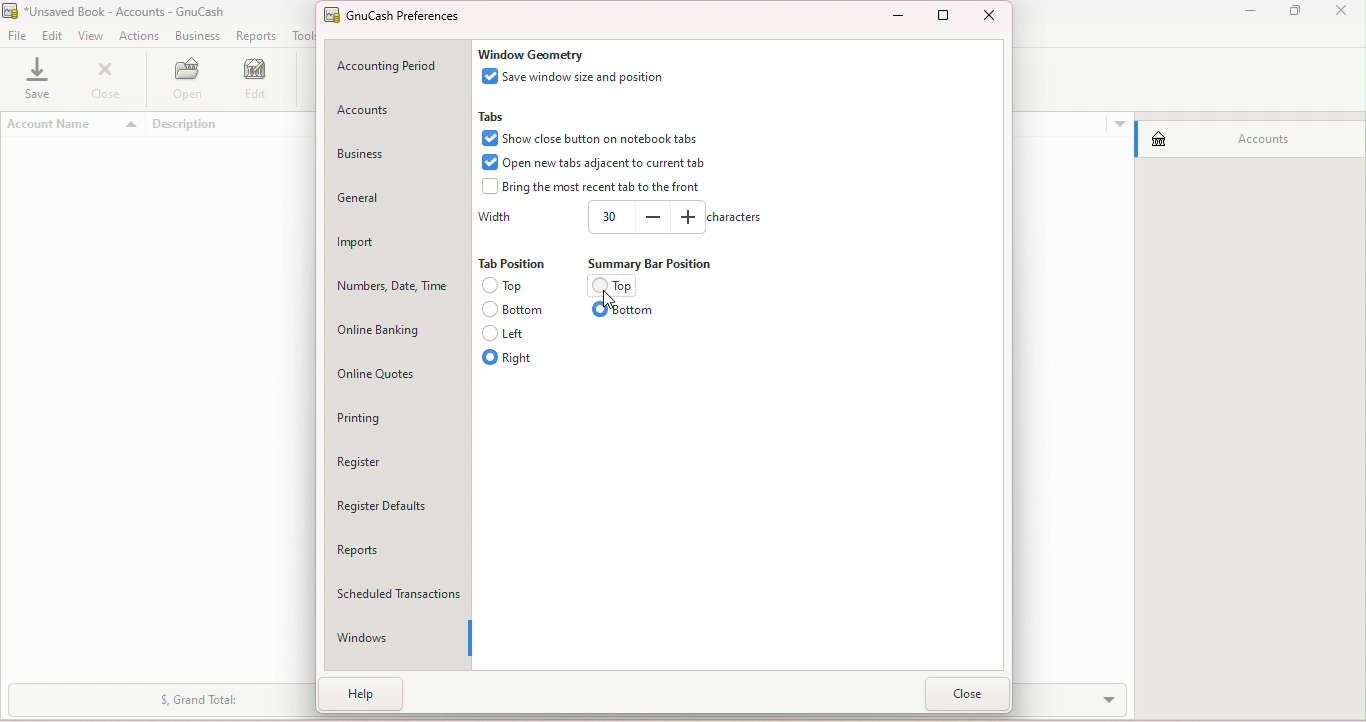 Image resolution: width=1366 pixels, height=722 pixels. What do you see at coordinates (390, 68) in the screenshot?
I see `Accounting period` at bounding box center [390, 68].